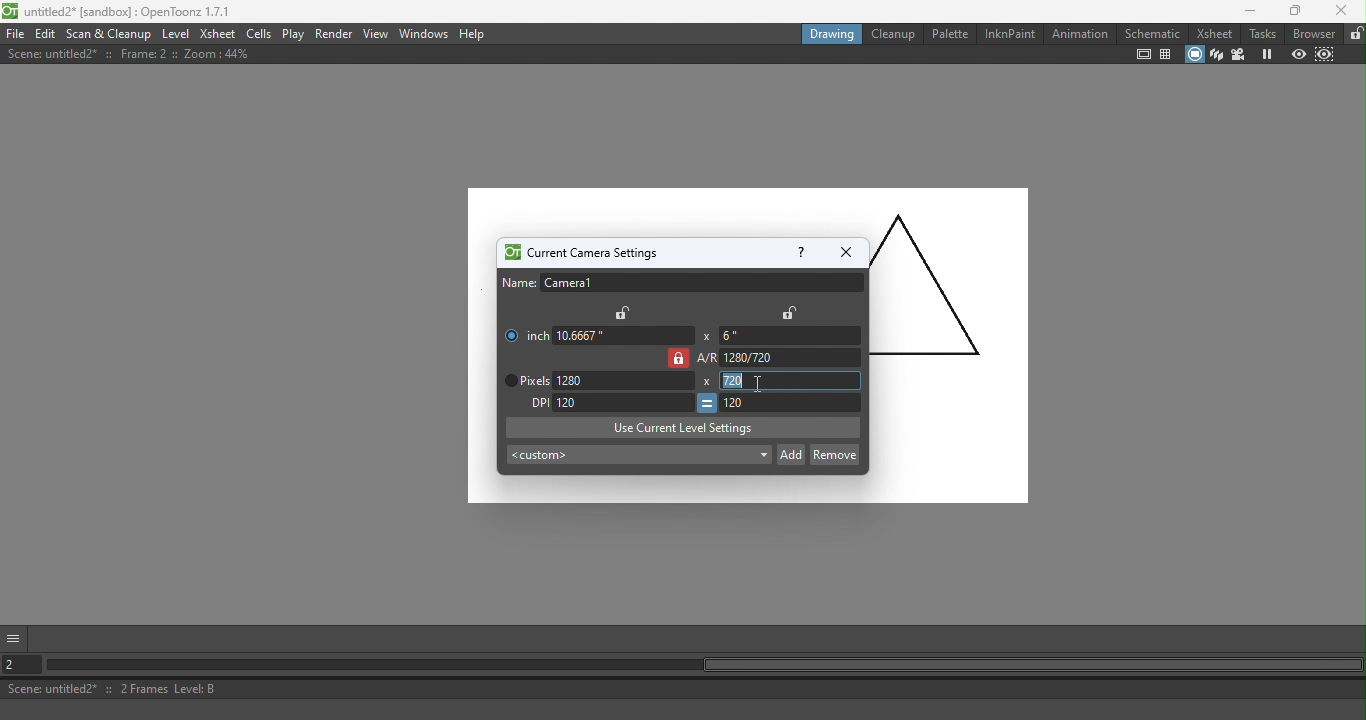 The height and width of the screenshot is (720, 1366). What do you see at coordinates (120, 11) in the screenshot?
I see `untitled2* [sandbox] : OpenToonz 1.7.1` at bounding box center [120, 11].